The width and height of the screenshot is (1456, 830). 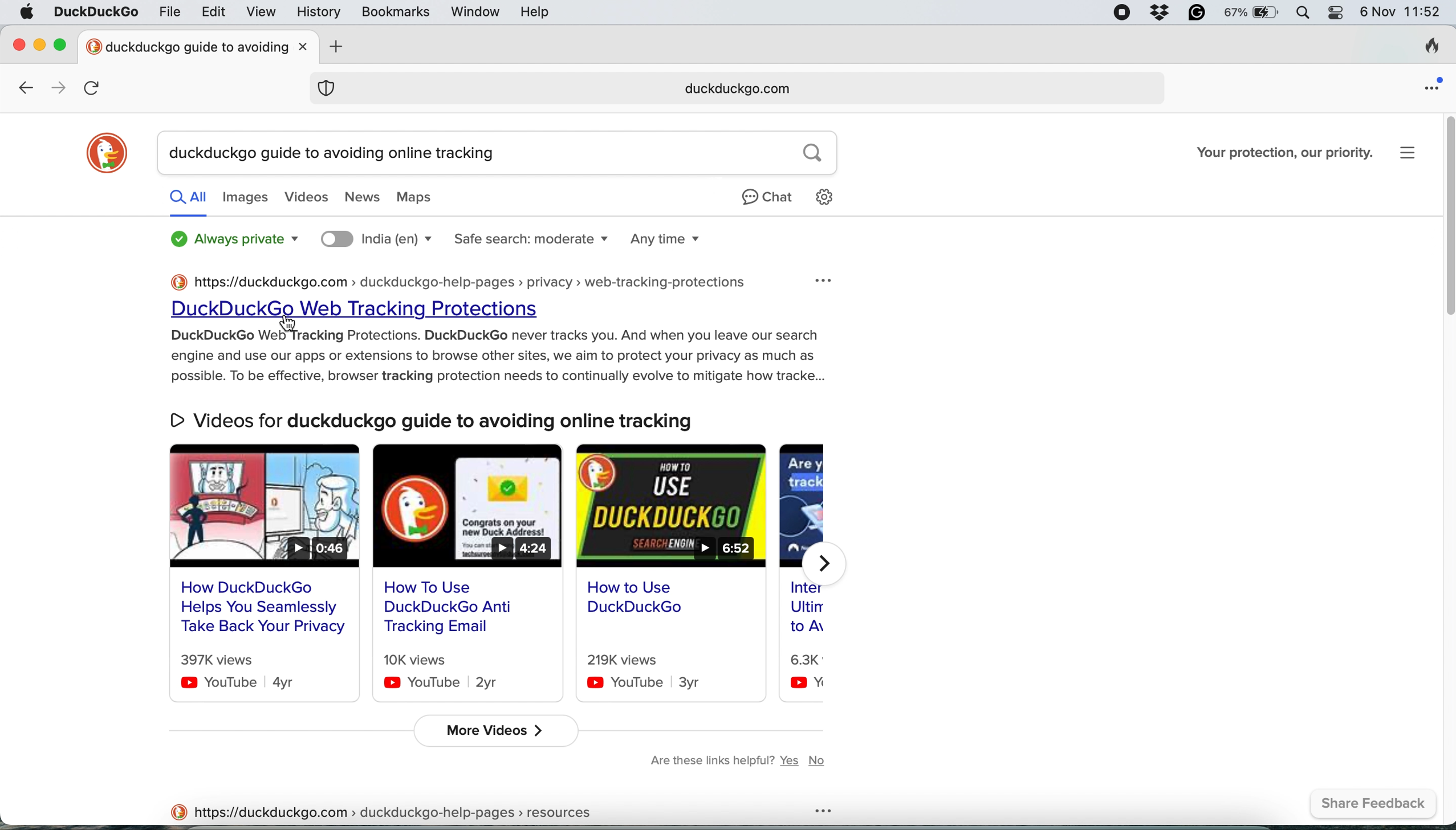 What do you see at coordinates (1254, 13) in the screenshot?
I see `battery` at bounding box center [1254, 13].